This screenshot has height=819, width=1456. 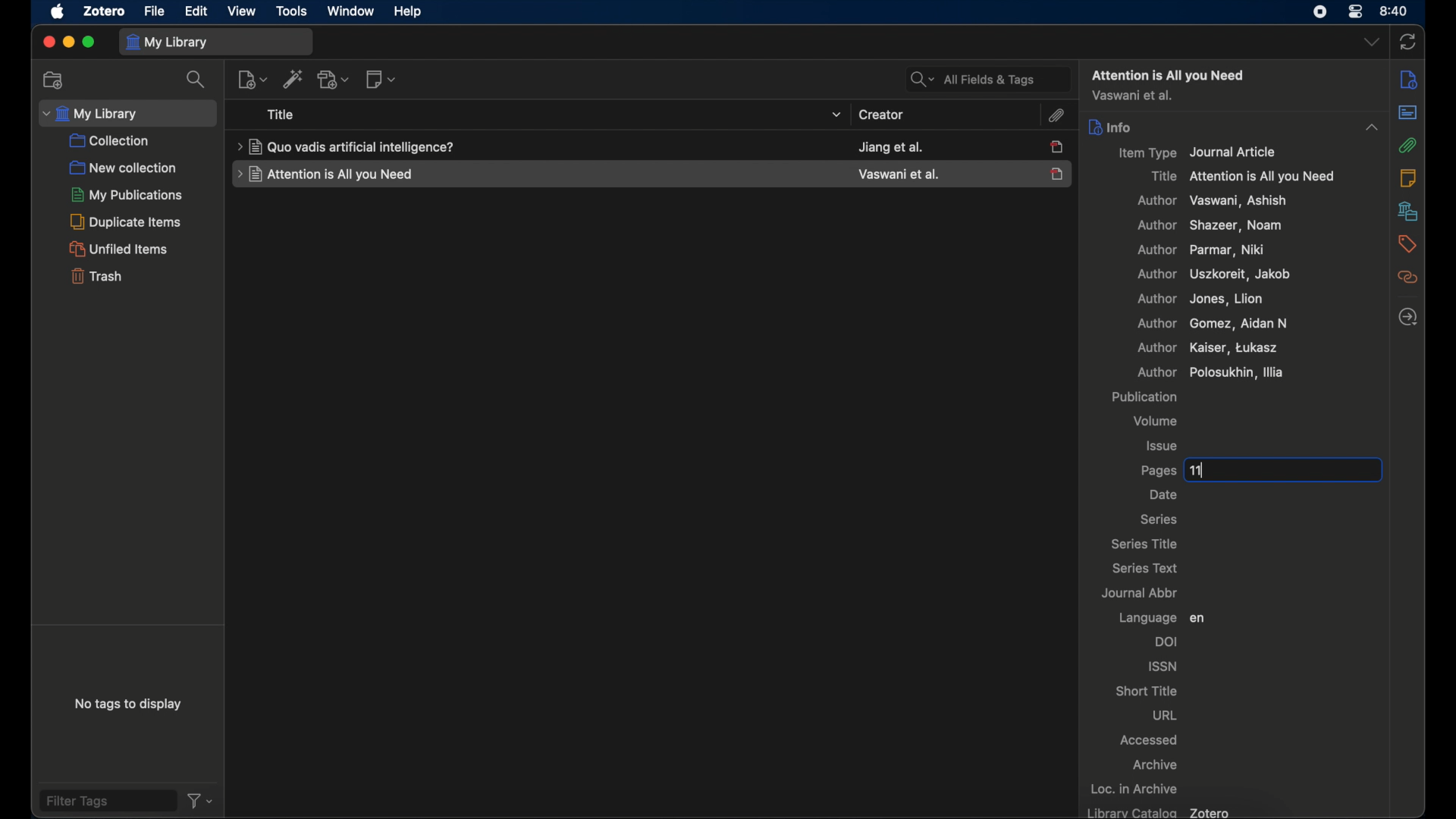 I want to click on my library dropdown menu, so click(x=128, y=112).